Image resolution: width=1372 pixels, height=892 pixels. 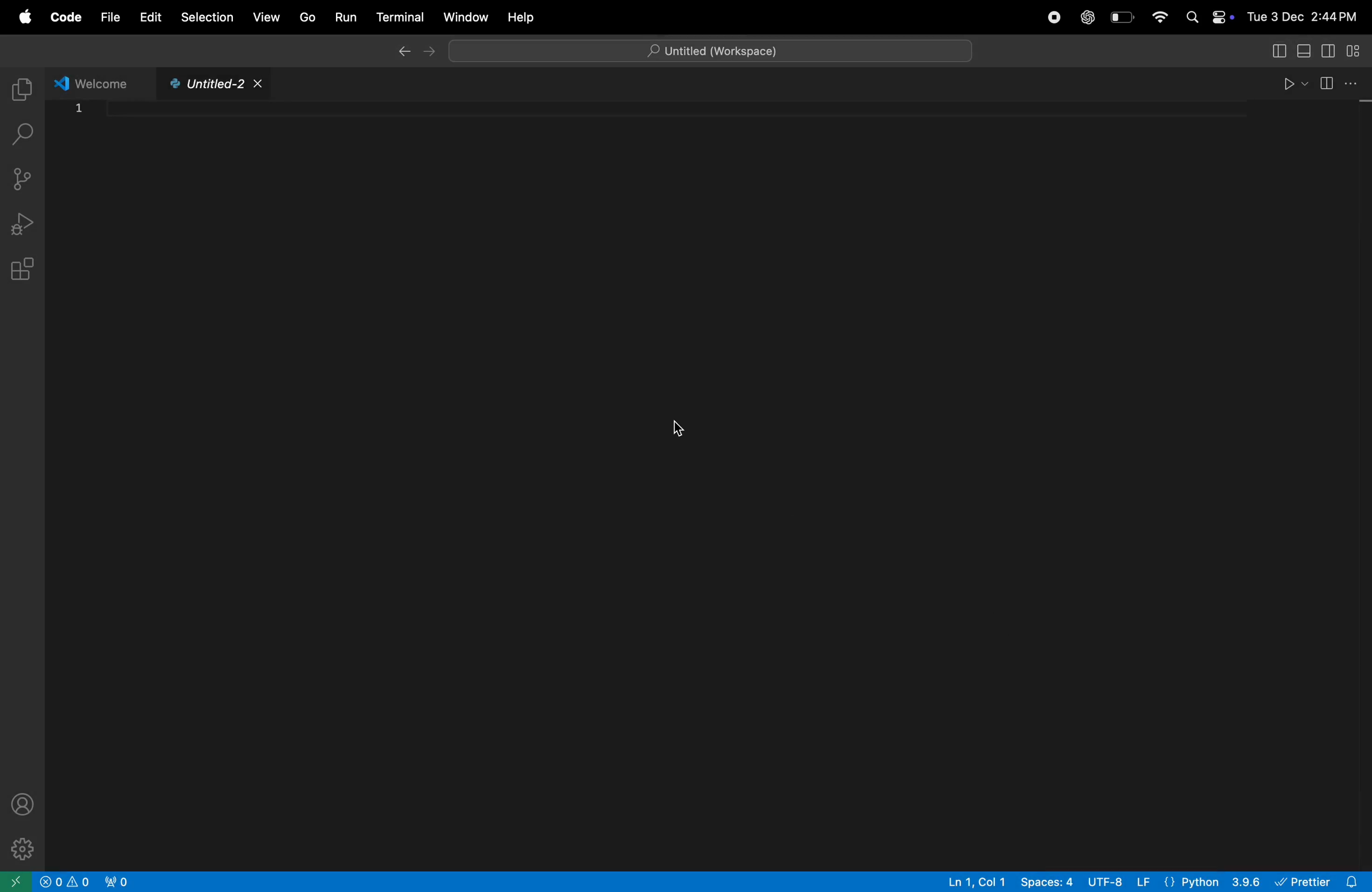 What do you see at coordinates (80, 107) in the screenshot?
I see `1` at bounding box center [80, 107].